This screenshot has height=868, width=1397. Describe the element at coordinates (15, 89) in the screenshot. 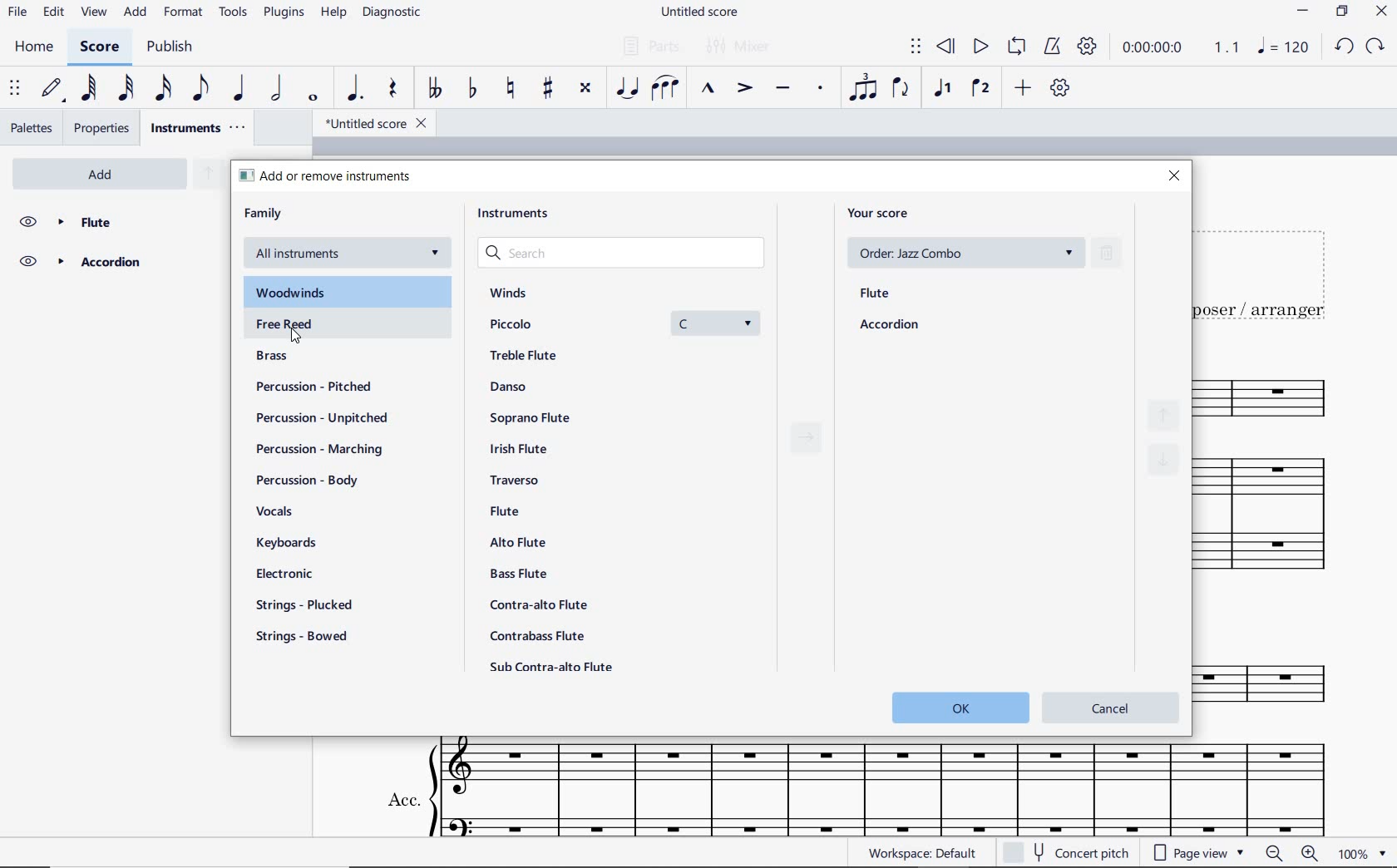

I see `select to move` at that location.